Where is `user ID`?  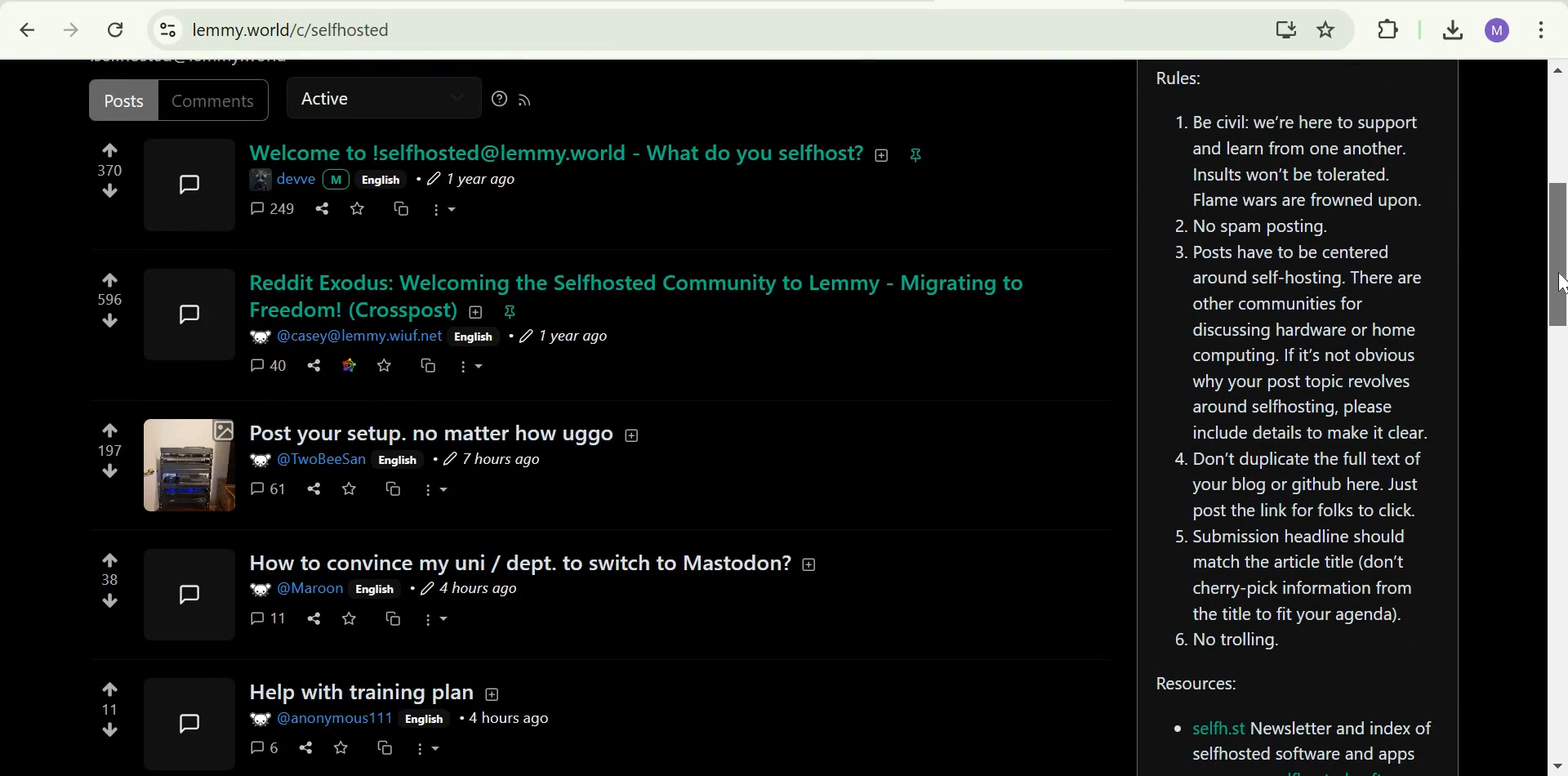 user ID is located at coordinates (336, 719).